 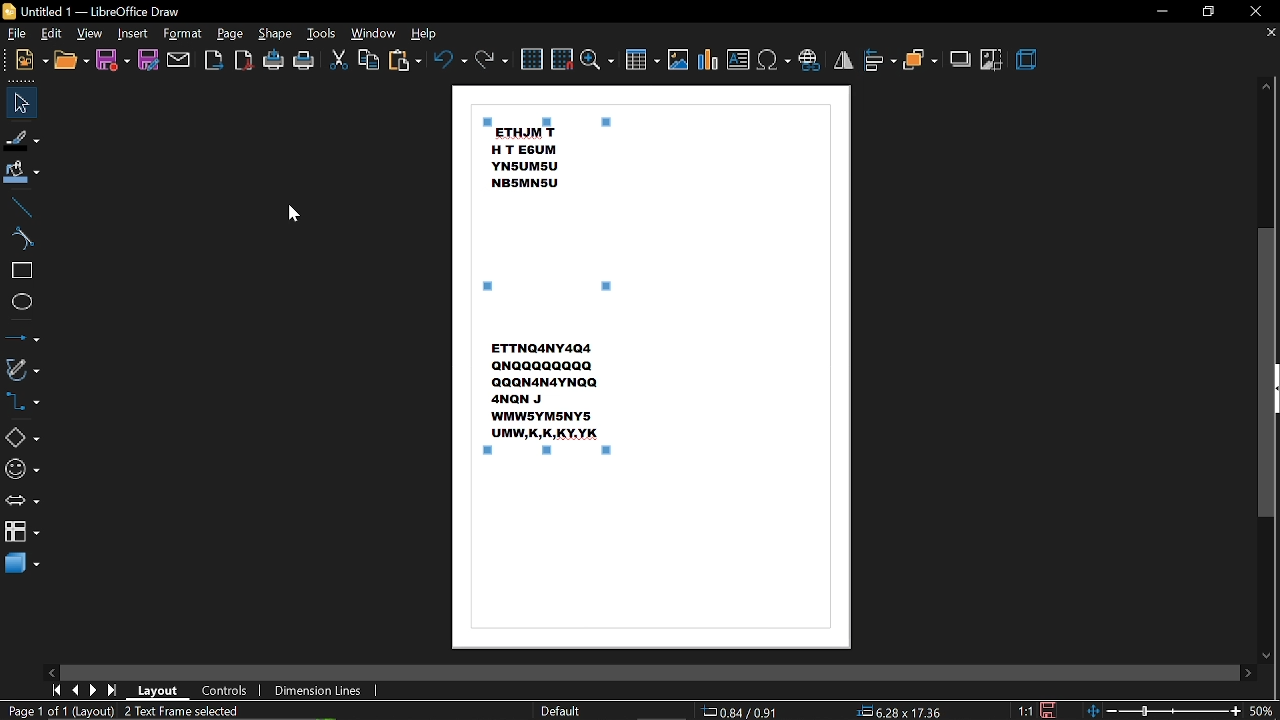 I want to click on restore down, so click(x=1209, y=13).